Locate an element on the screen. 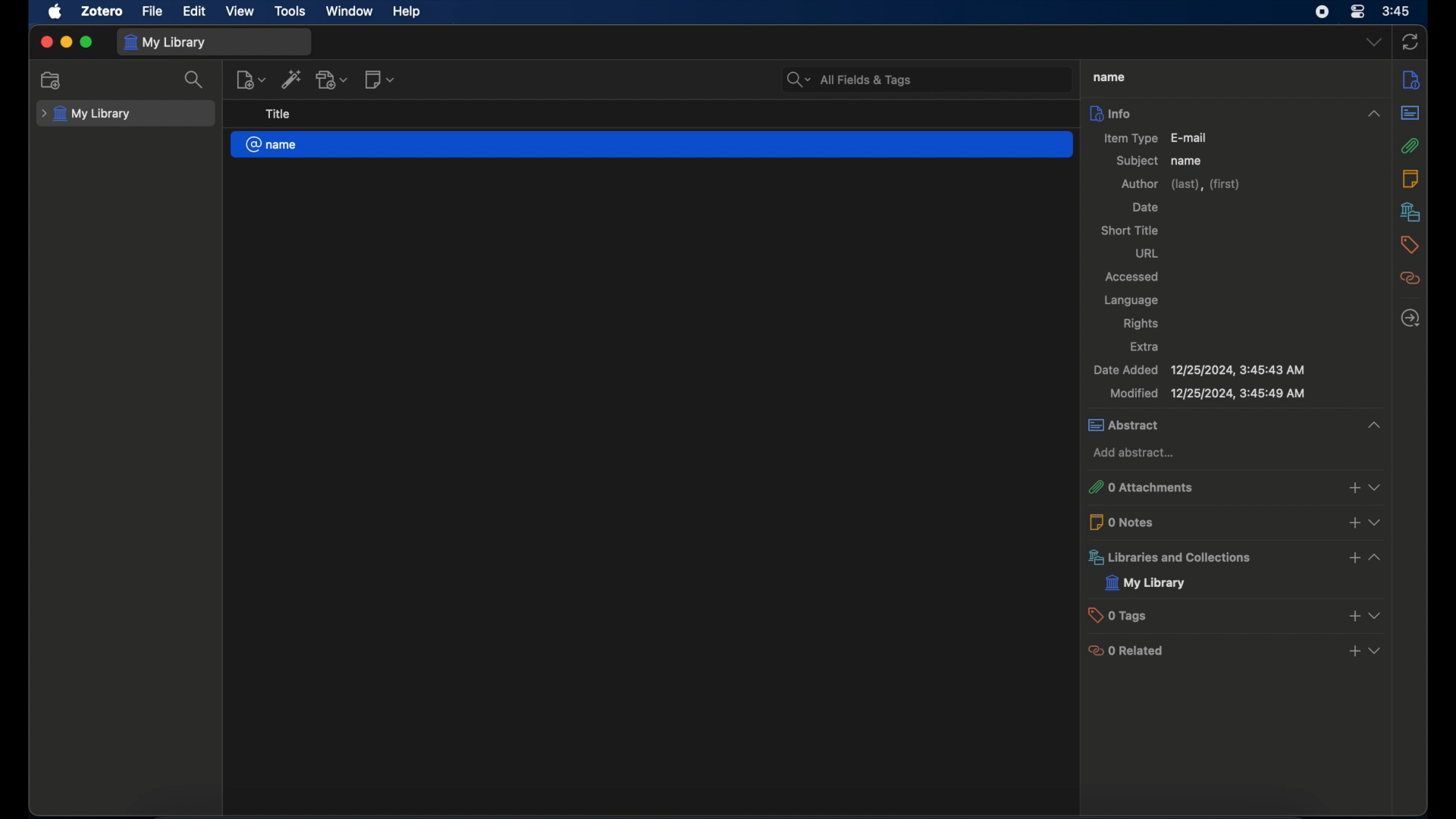 The image size is (1456, 819). url is located at coordinates (1147, 253).